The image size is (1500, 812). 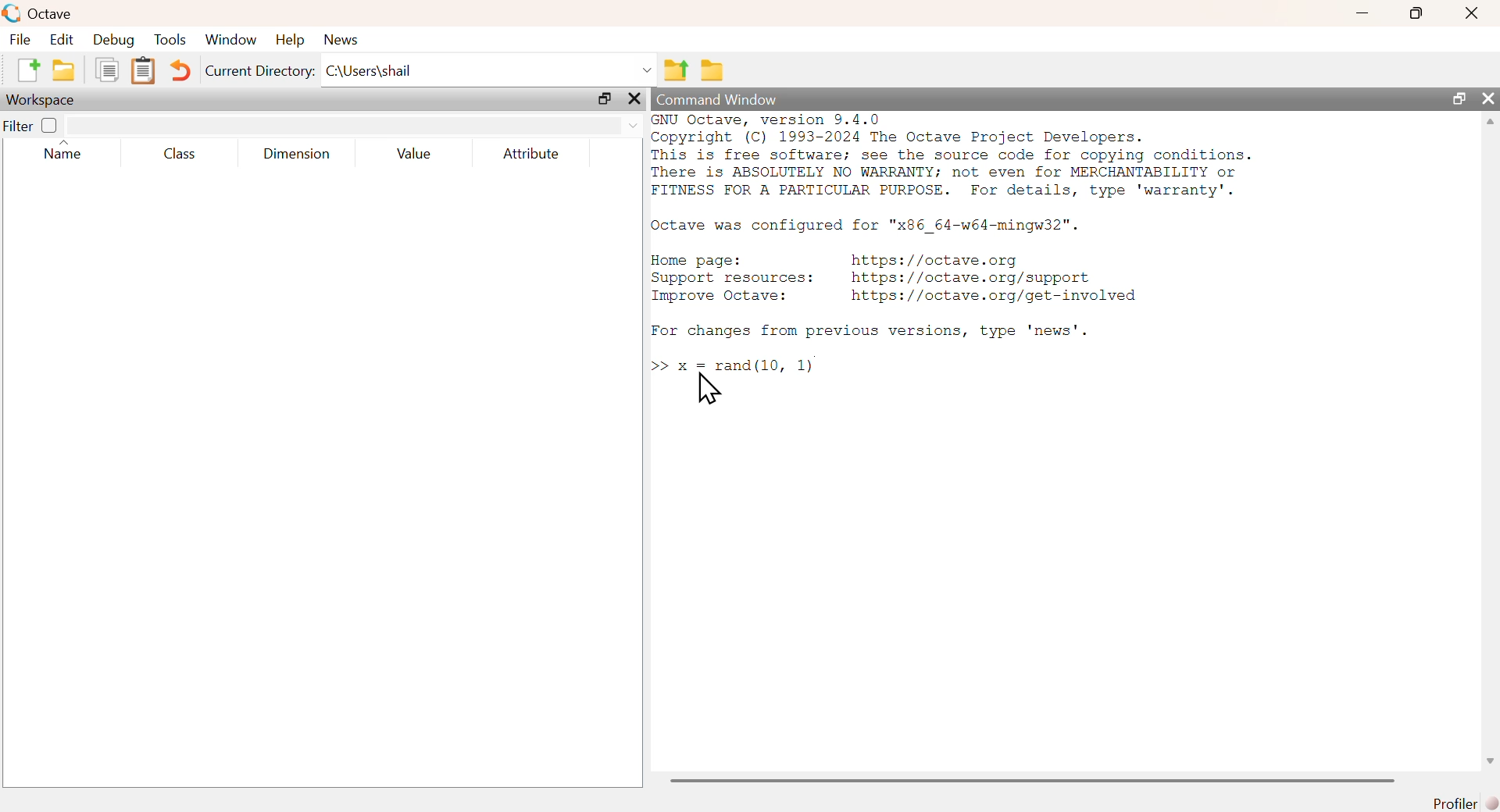 I want to click on tools, so click(x=171, y=41).